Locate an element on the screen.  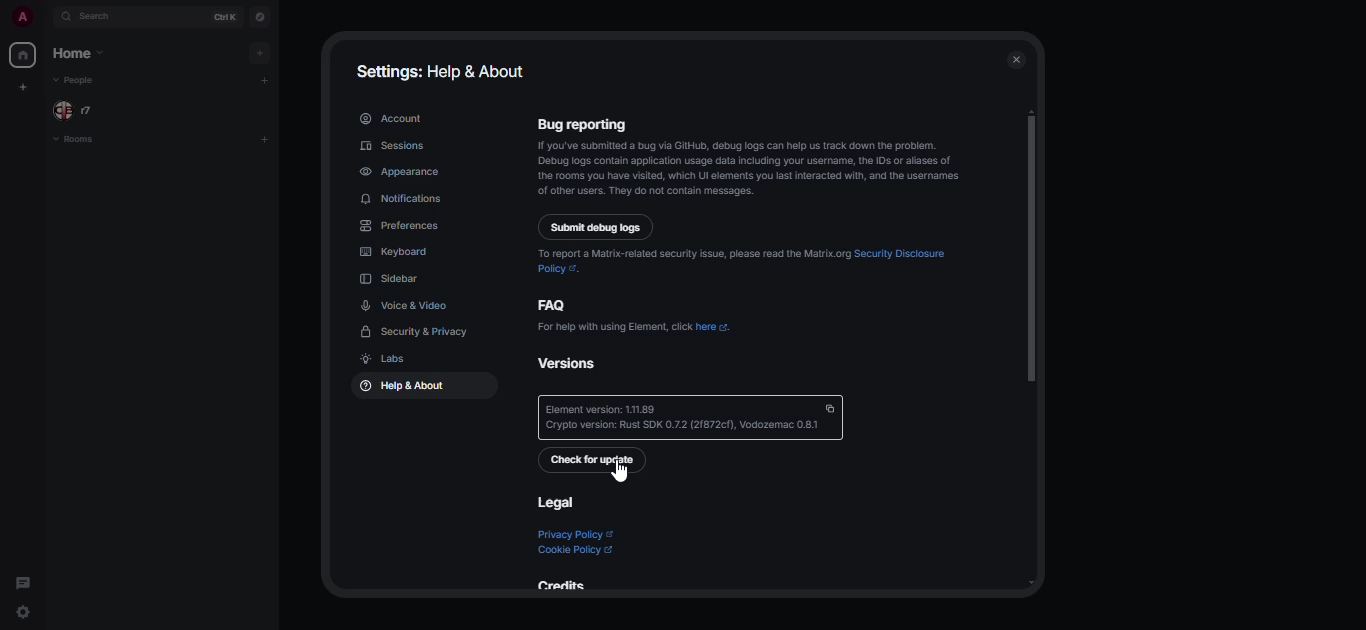
cookie policy is located at coordinates (577, 550).